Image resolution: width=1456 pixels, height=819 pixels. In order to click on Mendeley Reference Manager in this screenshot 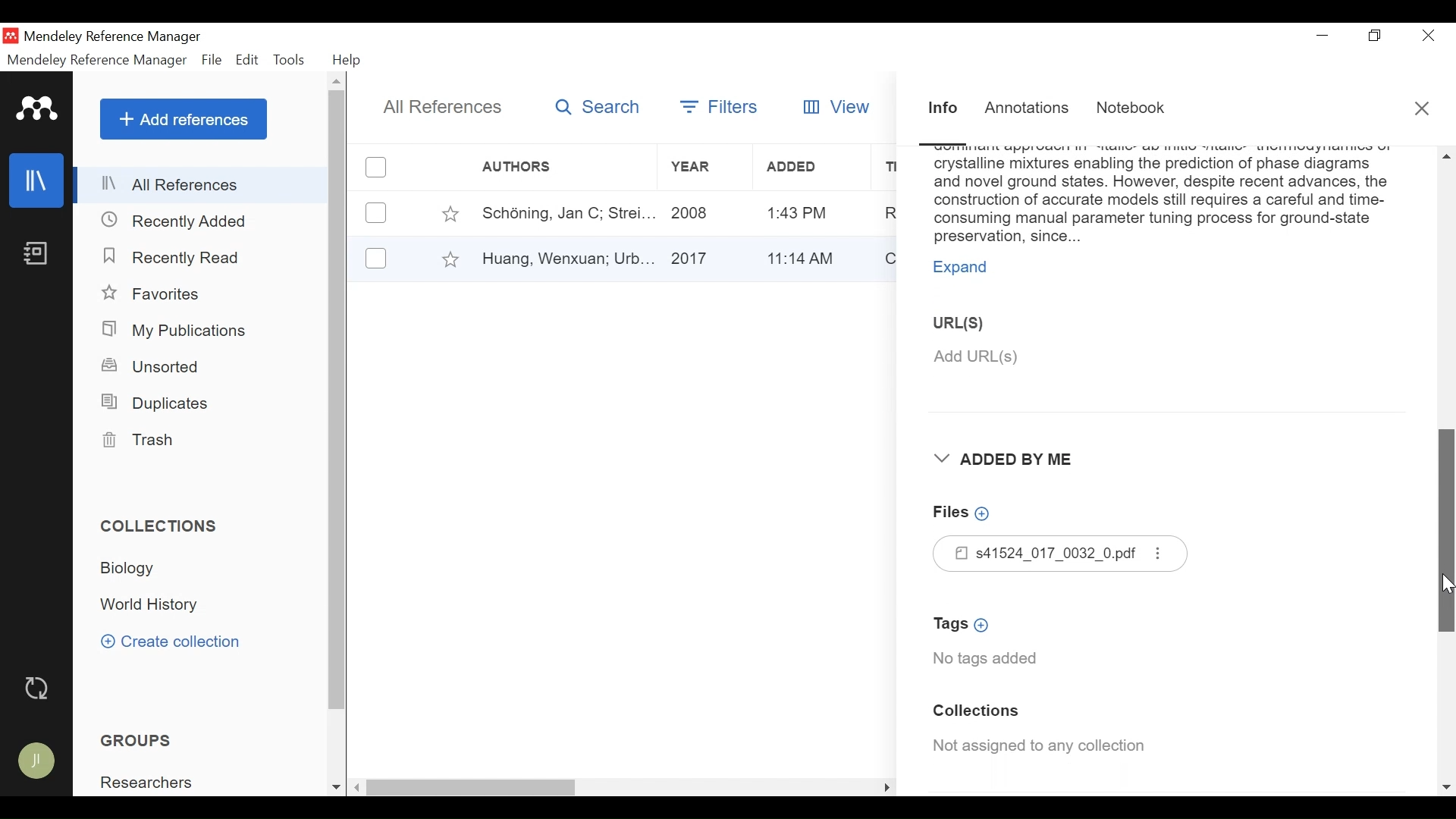, I will do `click(116, 36)`.